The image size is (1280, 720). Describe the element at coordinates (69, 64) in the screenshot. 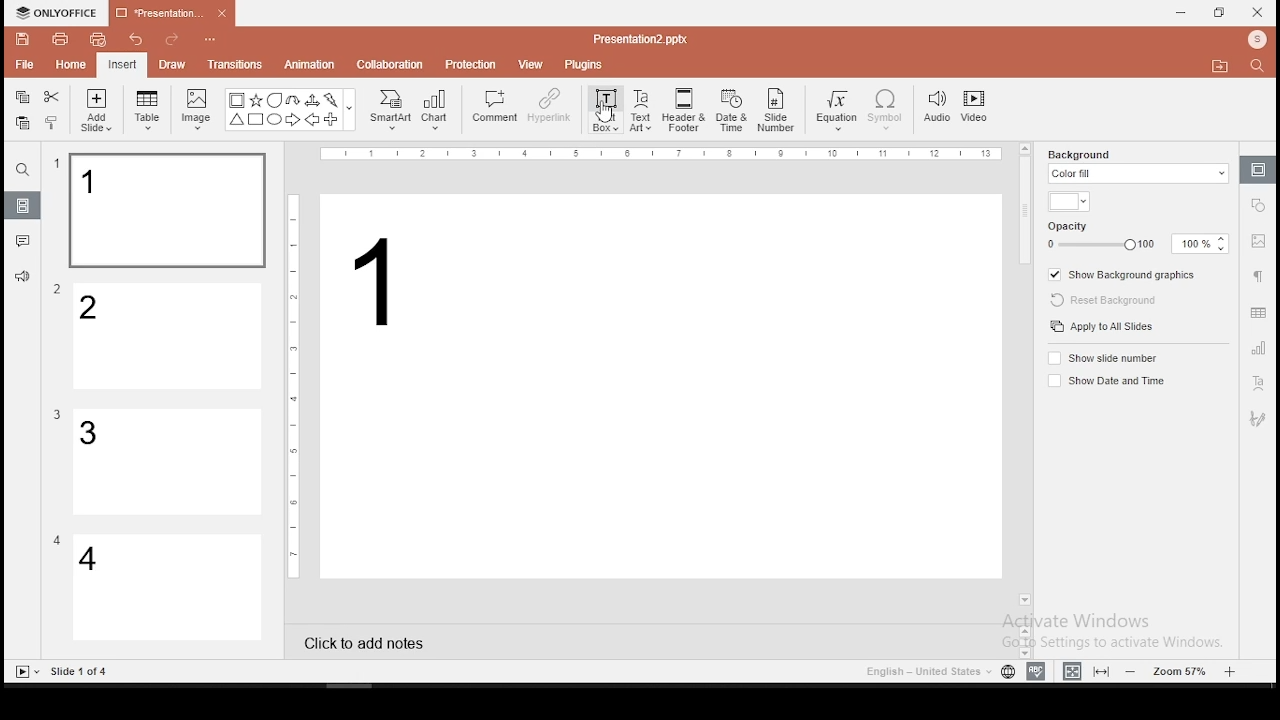

I see `home` at that location.